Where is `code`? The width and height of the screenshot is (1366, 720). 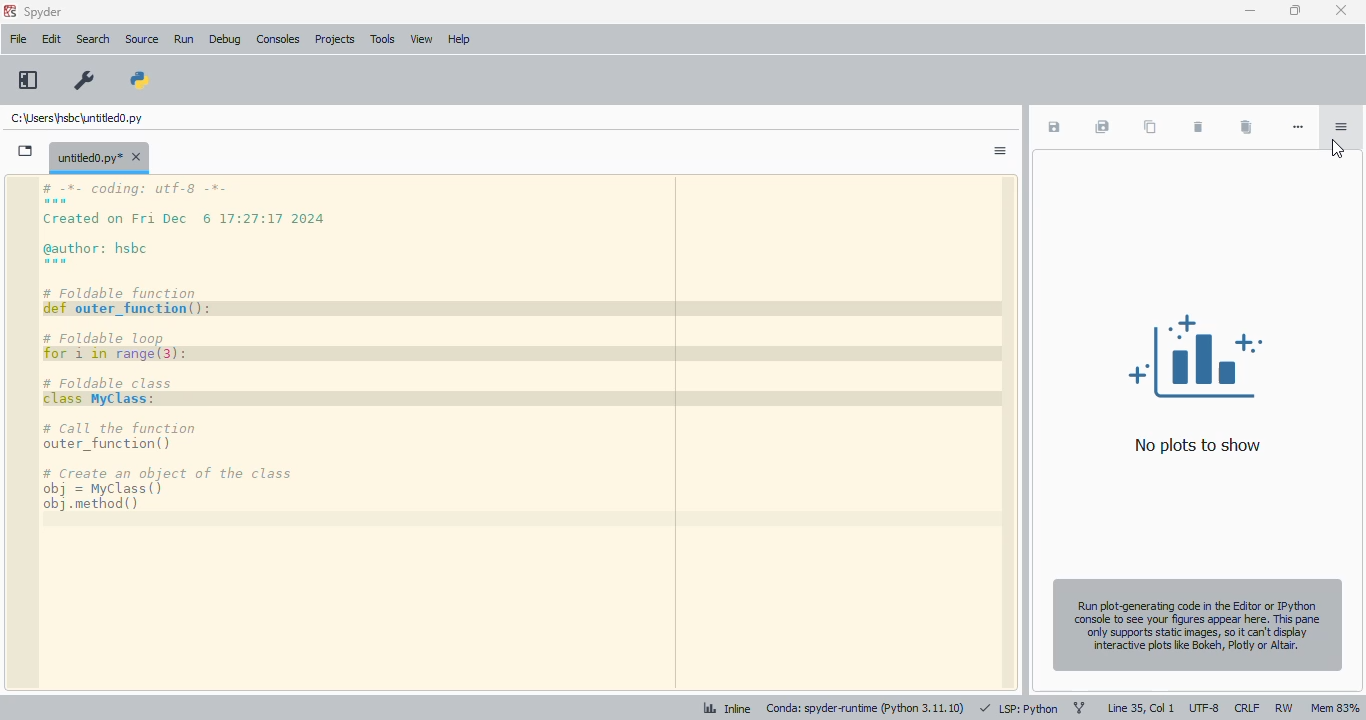 code is located at coordinates (206, 347).